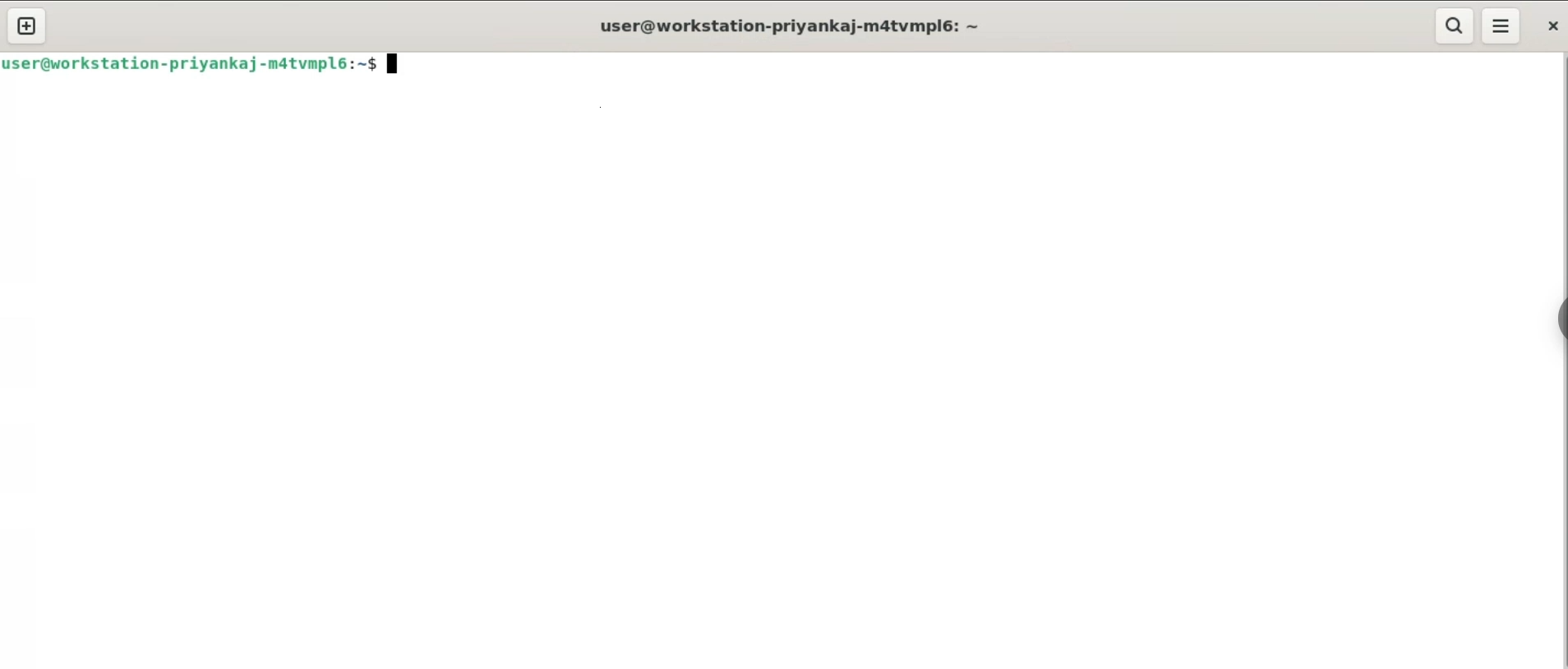 The image size is (1568, 669). What do you see at coordinates (1502, 25) in the screenshot?
I see `menu` at bounding box center [1502, 25].